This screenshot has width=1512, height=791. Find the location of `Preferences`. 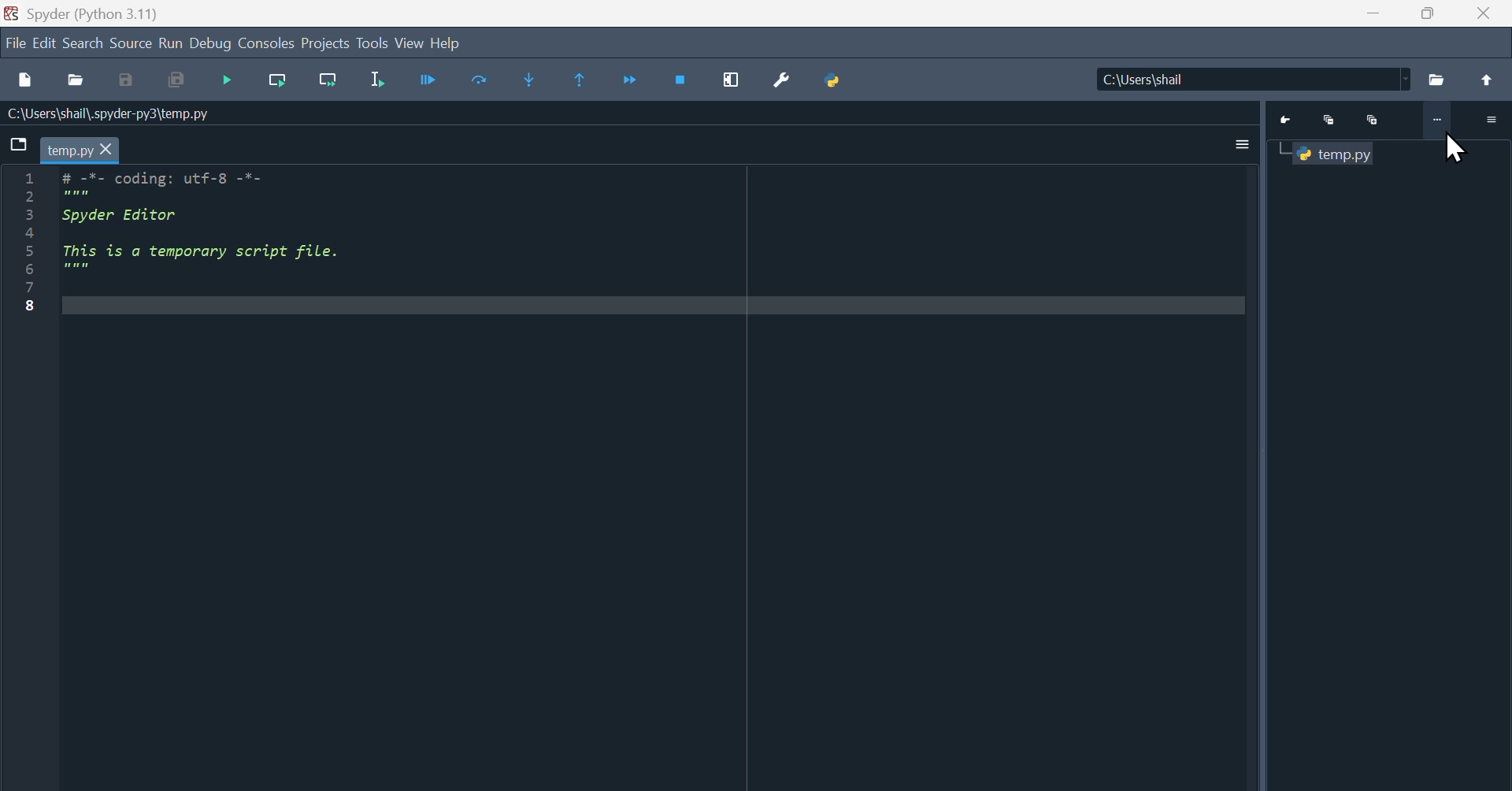

Preferences is located at coordinates (782, 81).